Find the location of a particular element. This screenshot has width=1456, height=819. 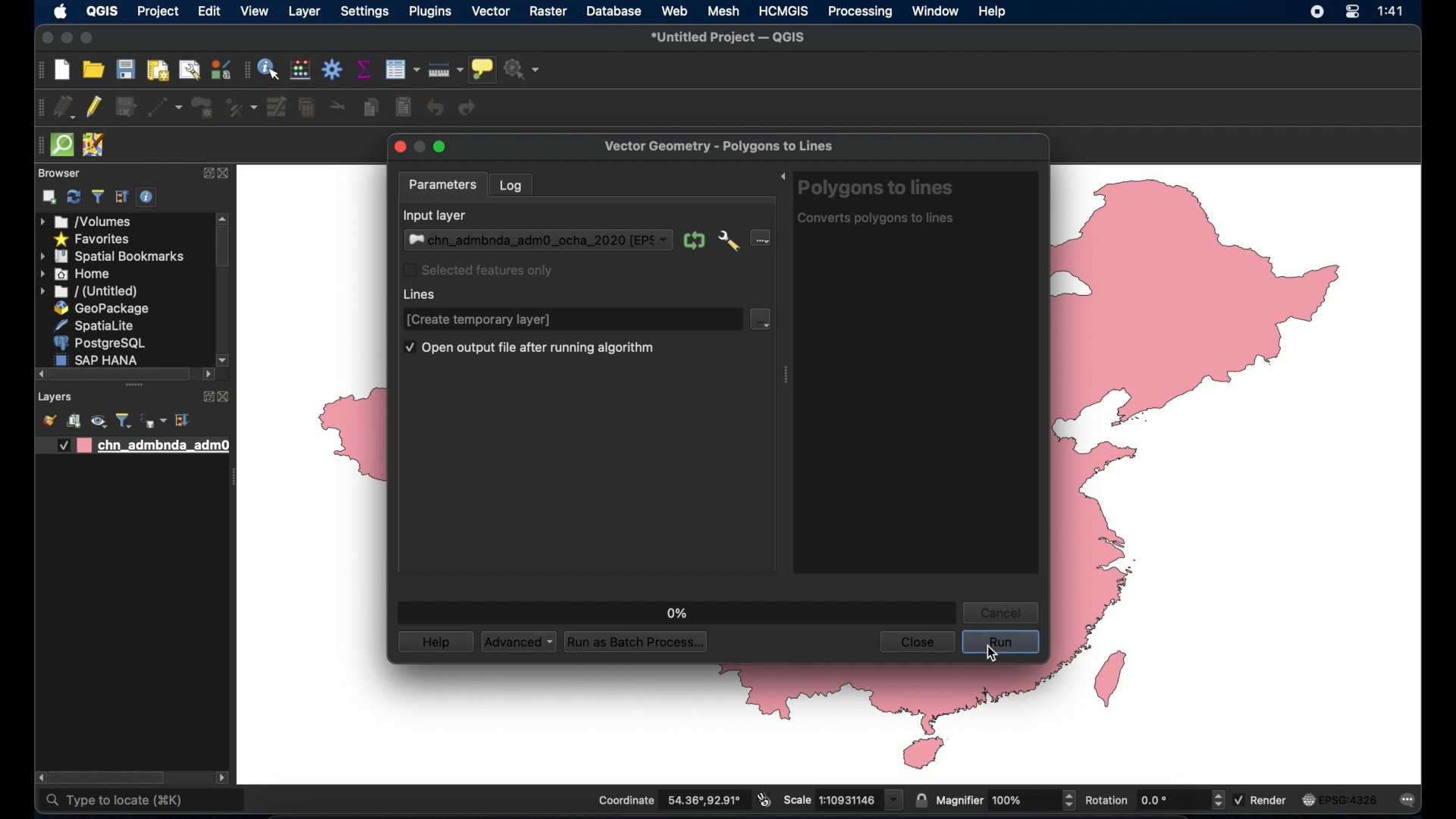

save edits is located at coordinates (125, 108).